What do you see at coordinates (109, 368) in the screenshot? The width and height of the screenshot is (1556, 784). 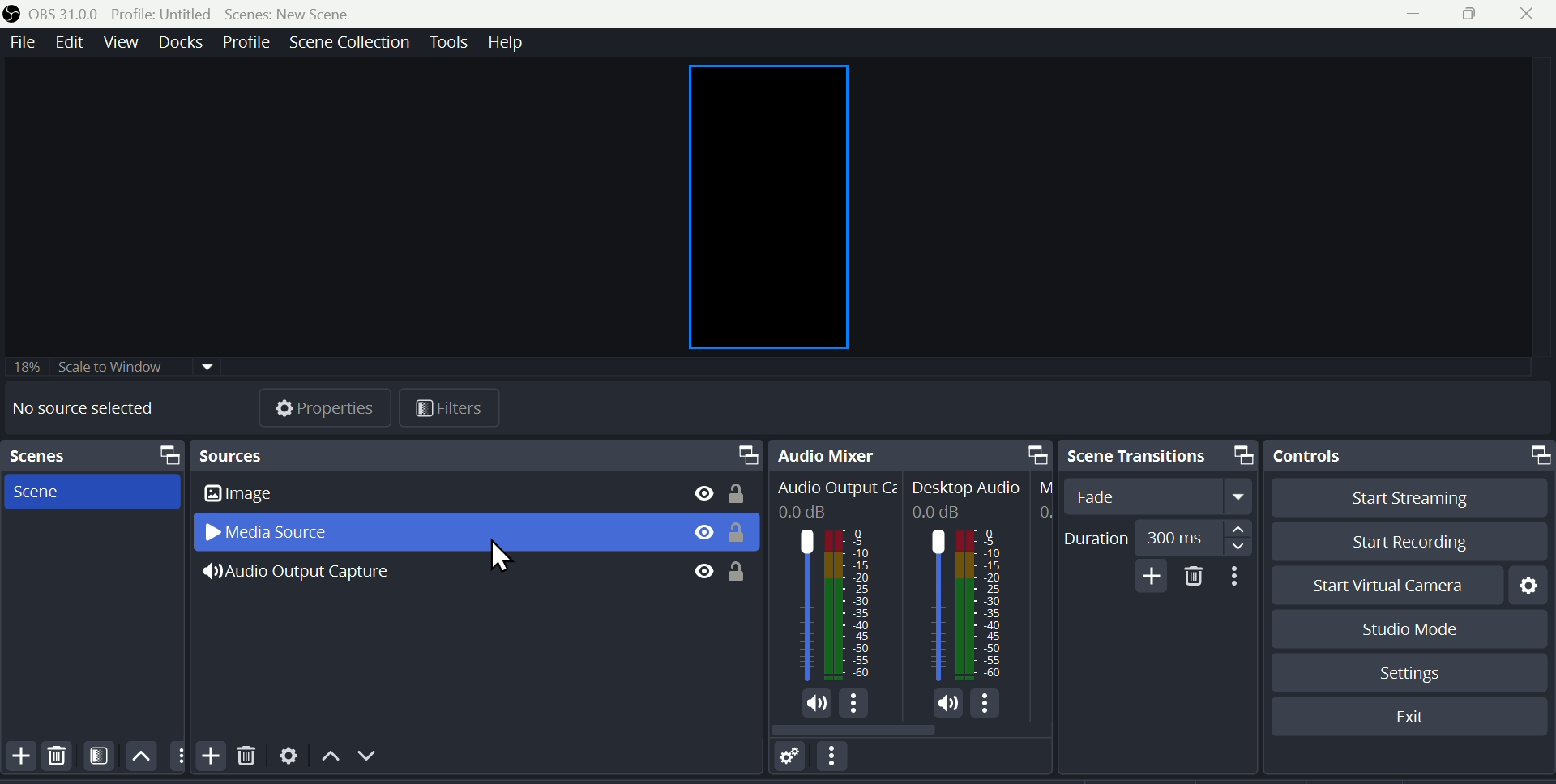 I see `Scale two window` at bounding box center [109, 368].